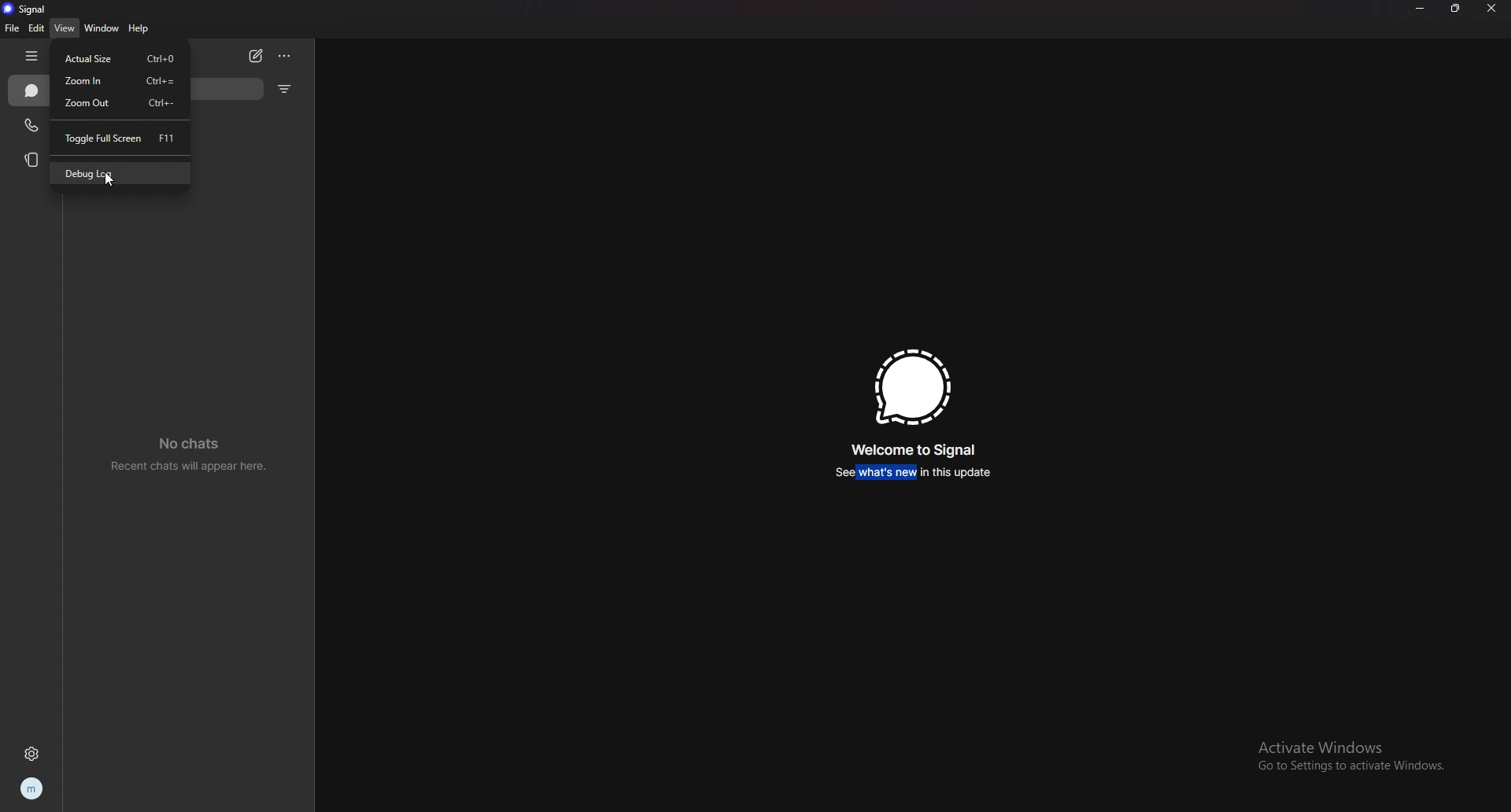 This screenshot has height=812, width=1511. Describe the element at coordinates (30, 9) in the screenshot. I see `signal` at that location.